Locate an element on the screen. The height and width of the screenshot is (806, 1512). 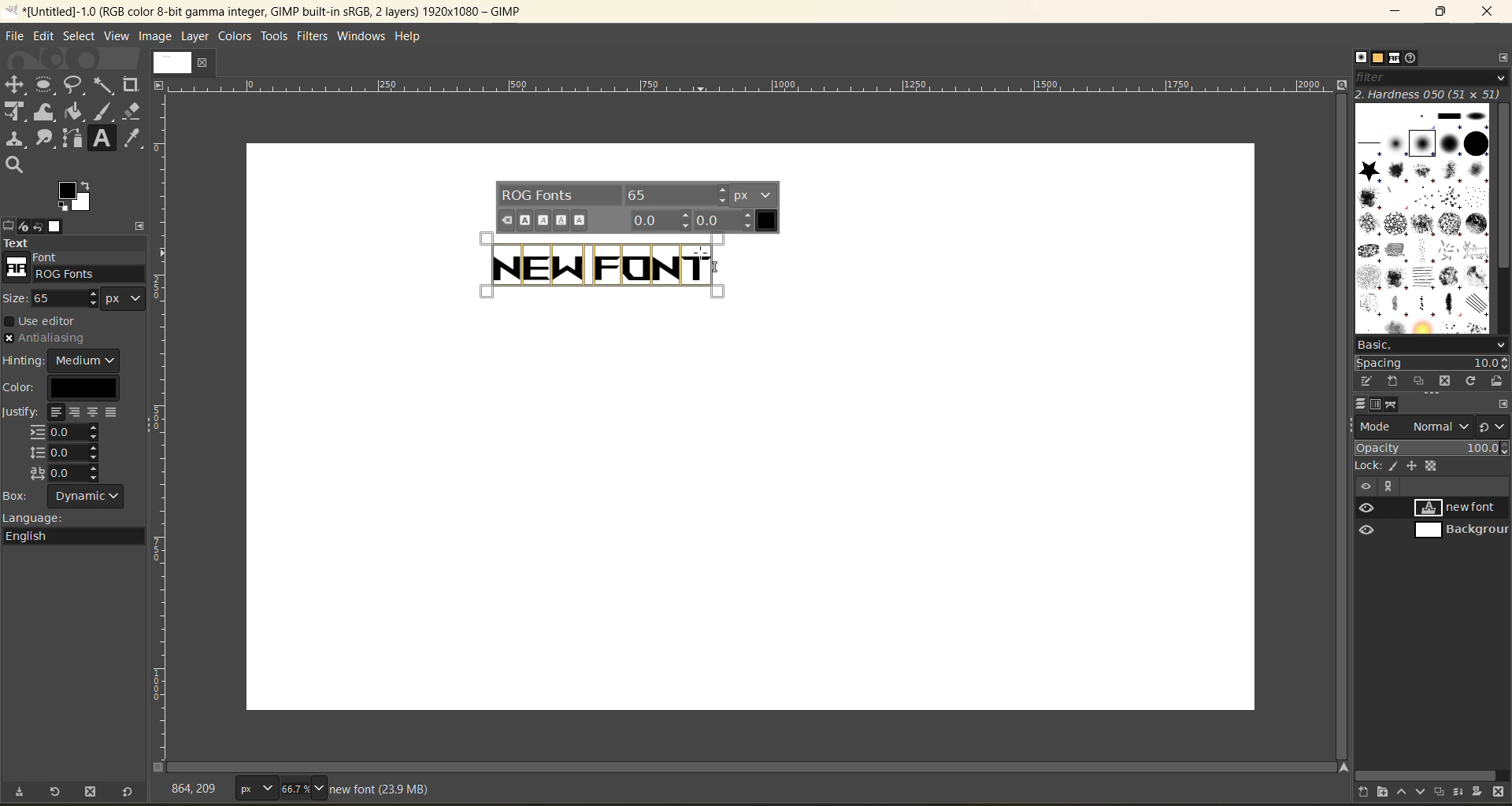
patterns is located at coordinates (1378, 57).